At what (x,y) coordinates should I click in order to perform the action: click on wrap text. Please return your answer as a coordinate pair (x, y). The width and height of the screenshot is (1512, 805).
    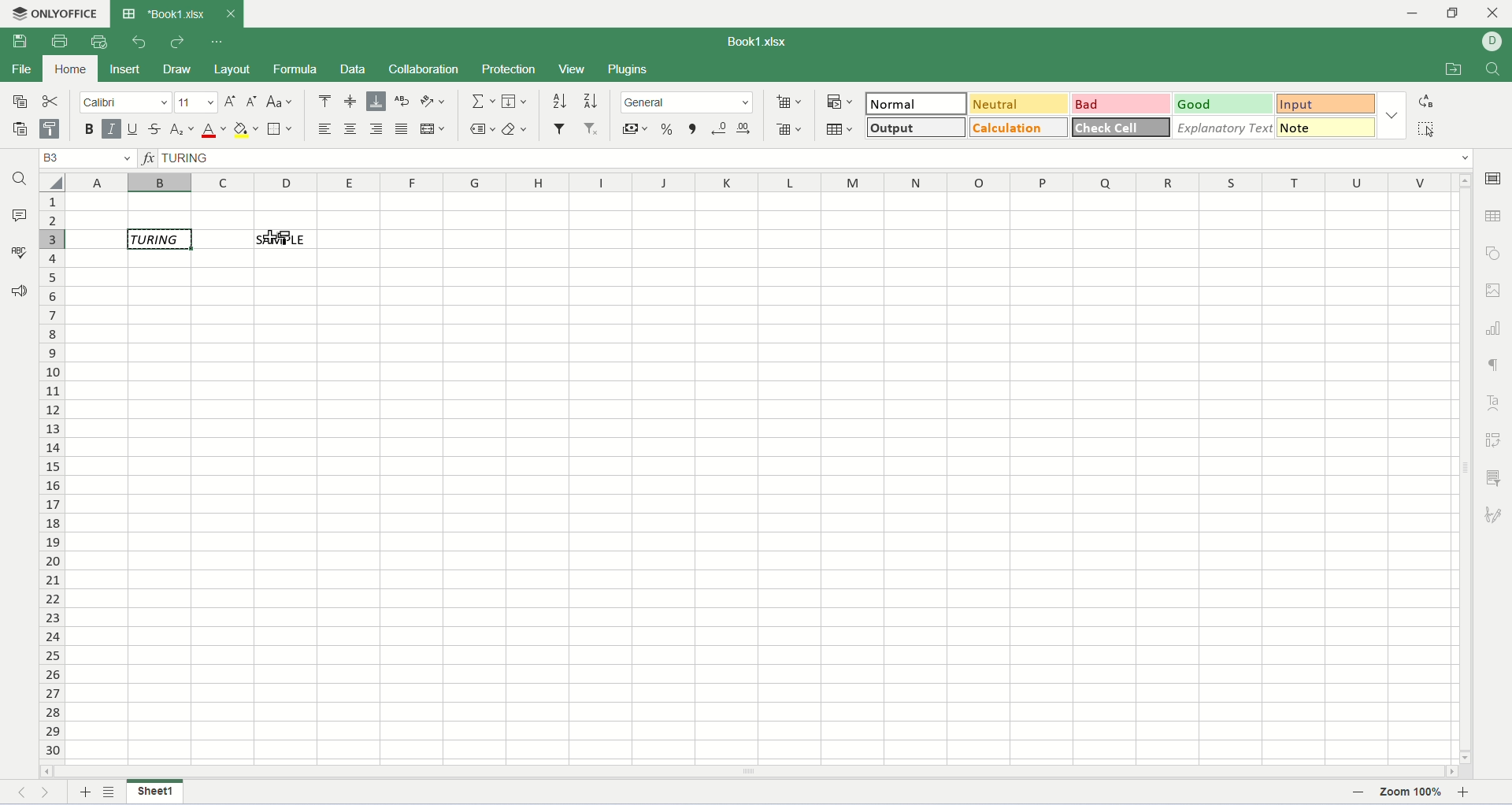
    Looking at the image, I should click on (403, 102).